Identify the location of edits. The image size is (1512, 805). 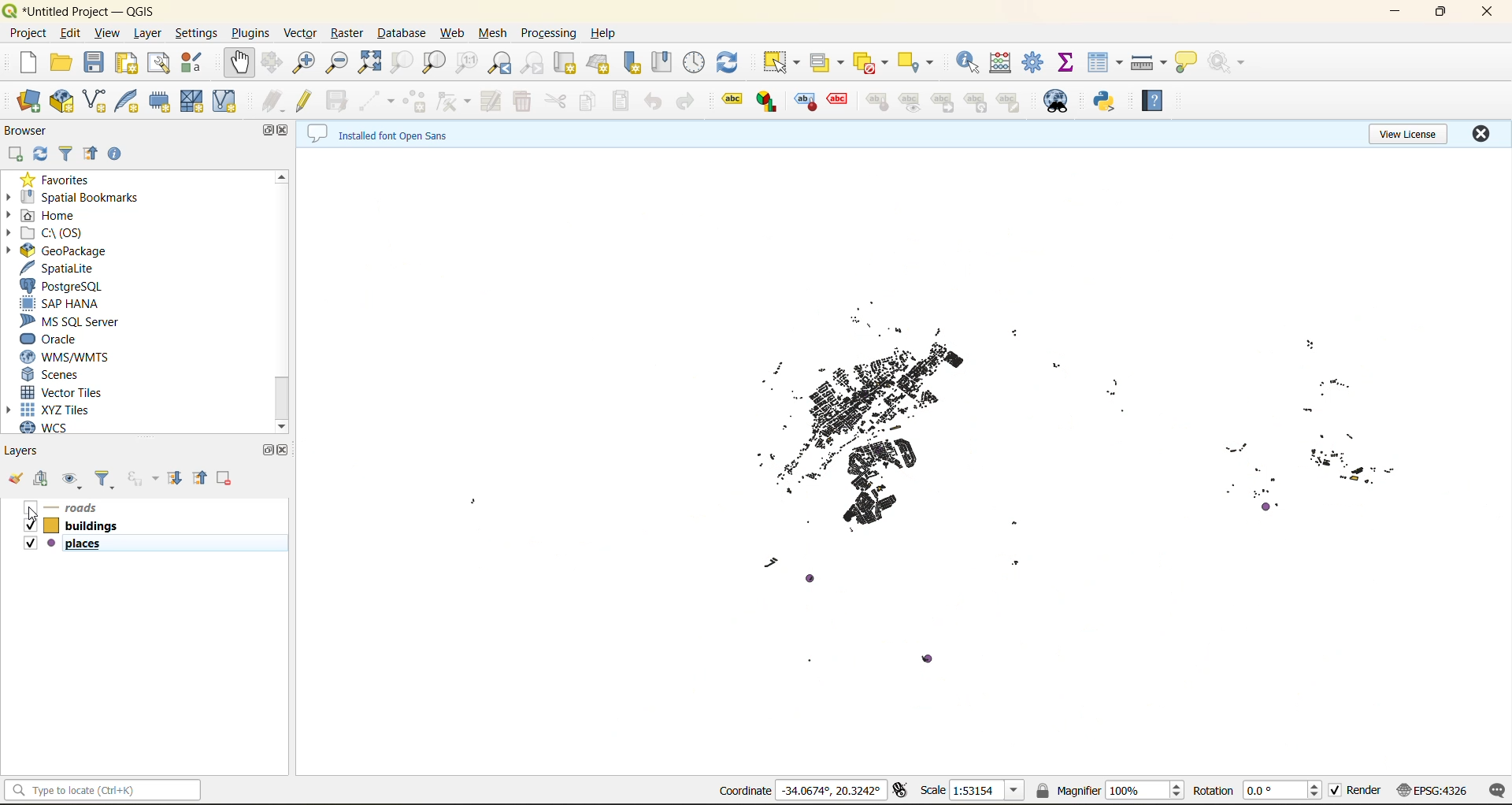
(272, 98).